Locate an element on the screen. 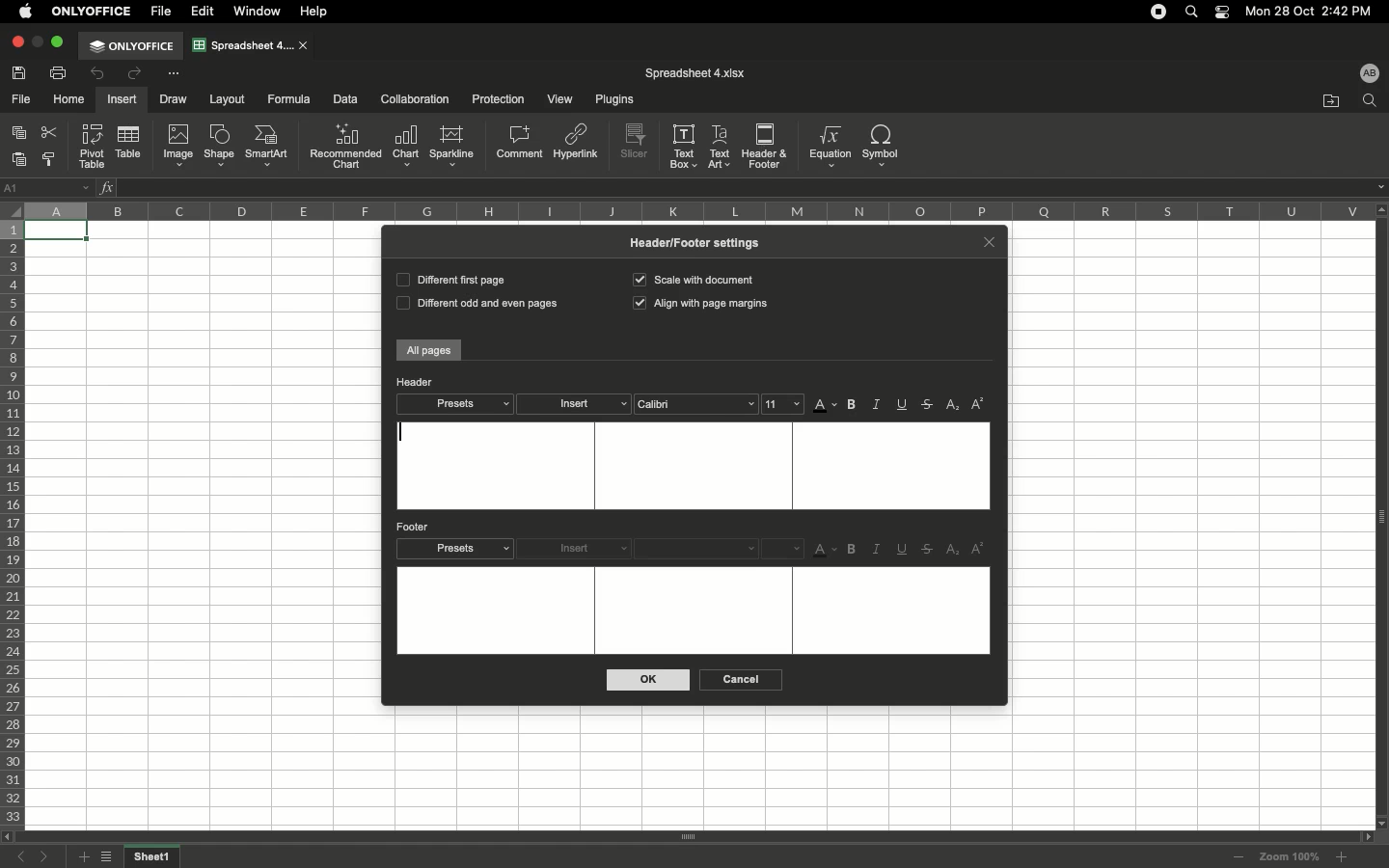 The image size is (1389, 868). Symbol is located at coordinates (883, 146).